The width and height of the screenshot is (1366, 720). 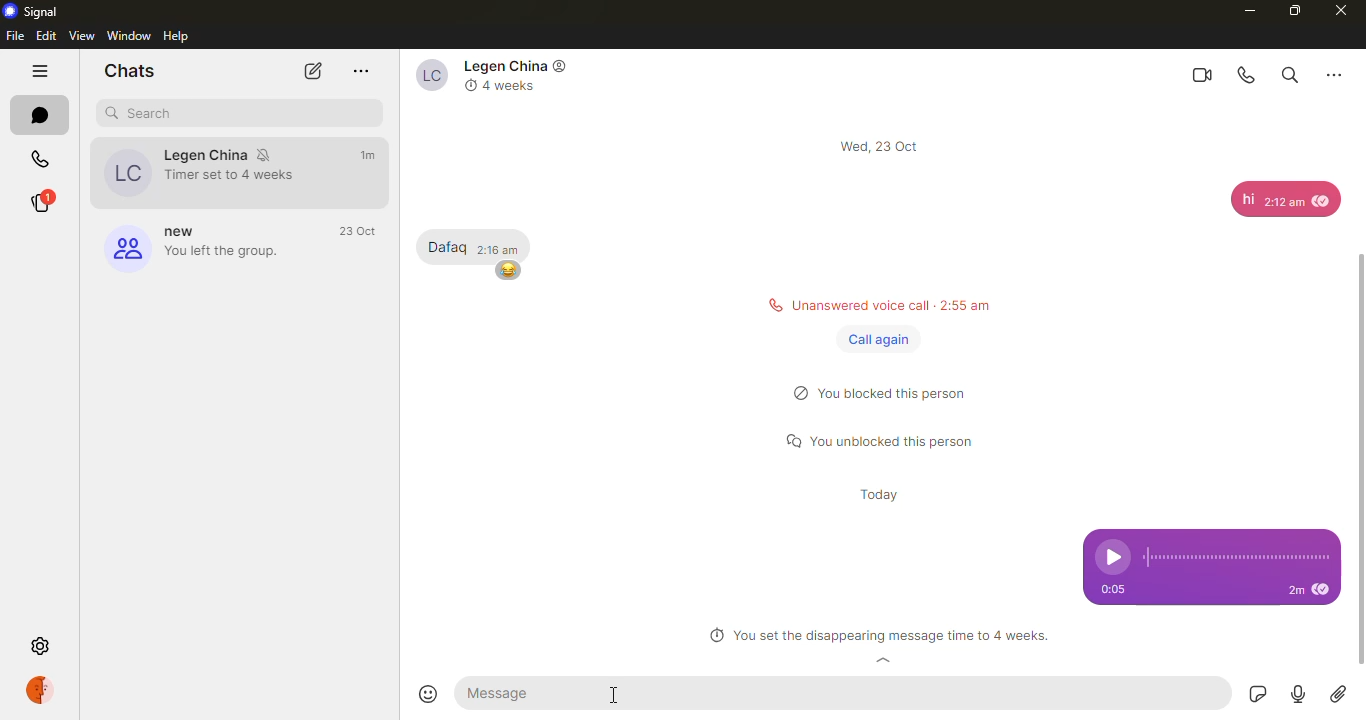 I want to click on 0:05, so click(x=1120, y=590).